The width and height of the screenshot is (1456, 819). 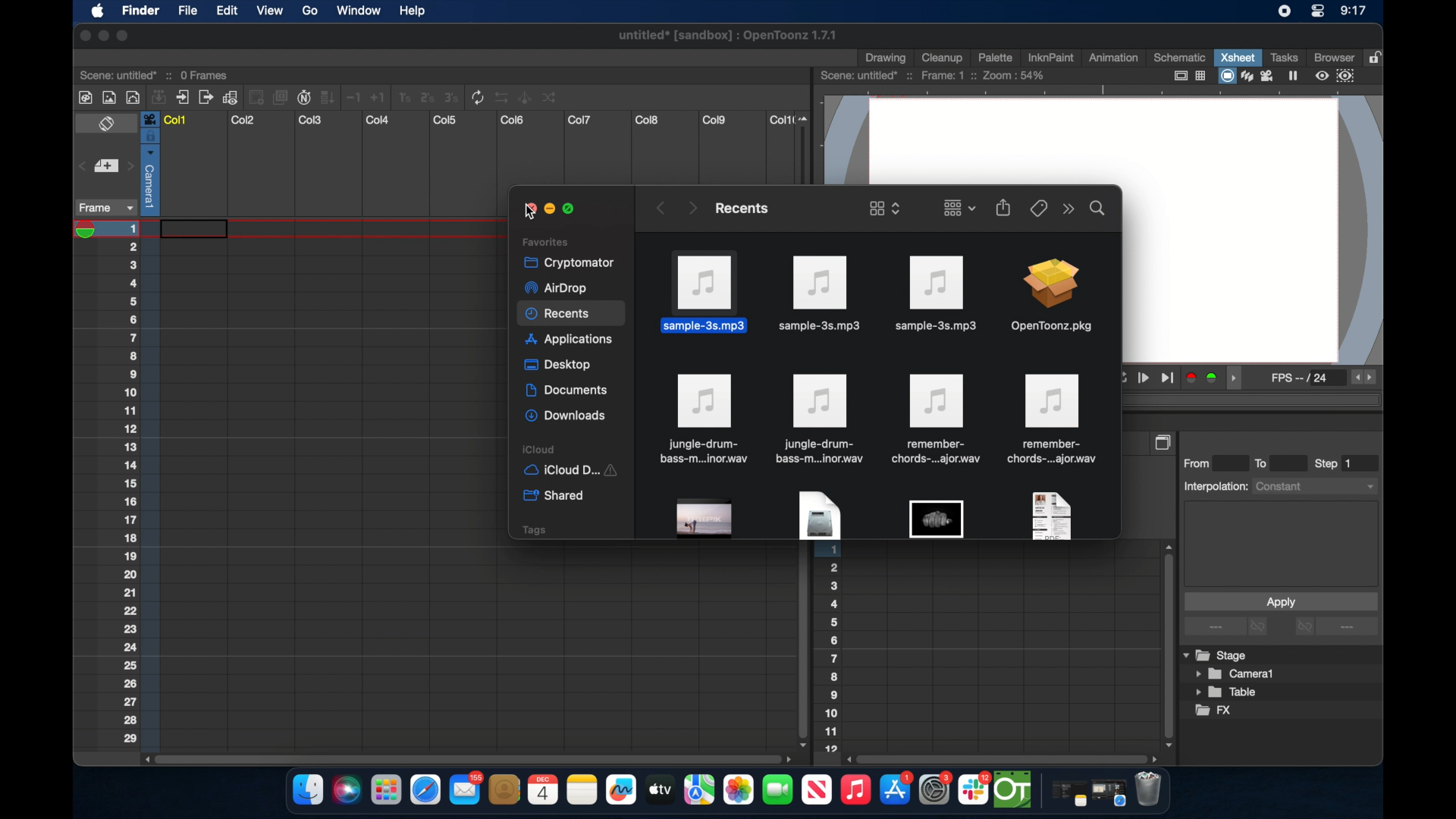 What do you see at coordinates (560, 366) in the screenshot?
I see `desktop` at bounding box center [560, 366].